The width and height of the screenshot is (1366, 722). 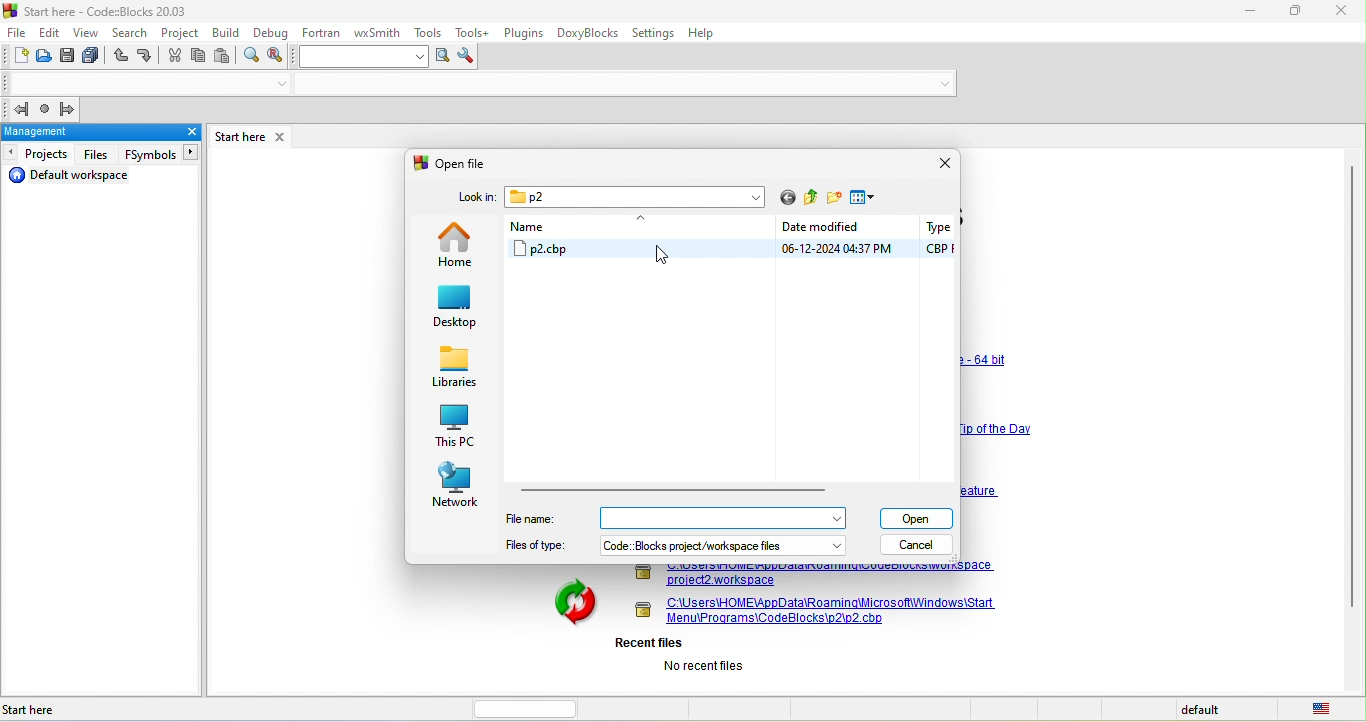 I want to click on home, so click(x=461, y=248).